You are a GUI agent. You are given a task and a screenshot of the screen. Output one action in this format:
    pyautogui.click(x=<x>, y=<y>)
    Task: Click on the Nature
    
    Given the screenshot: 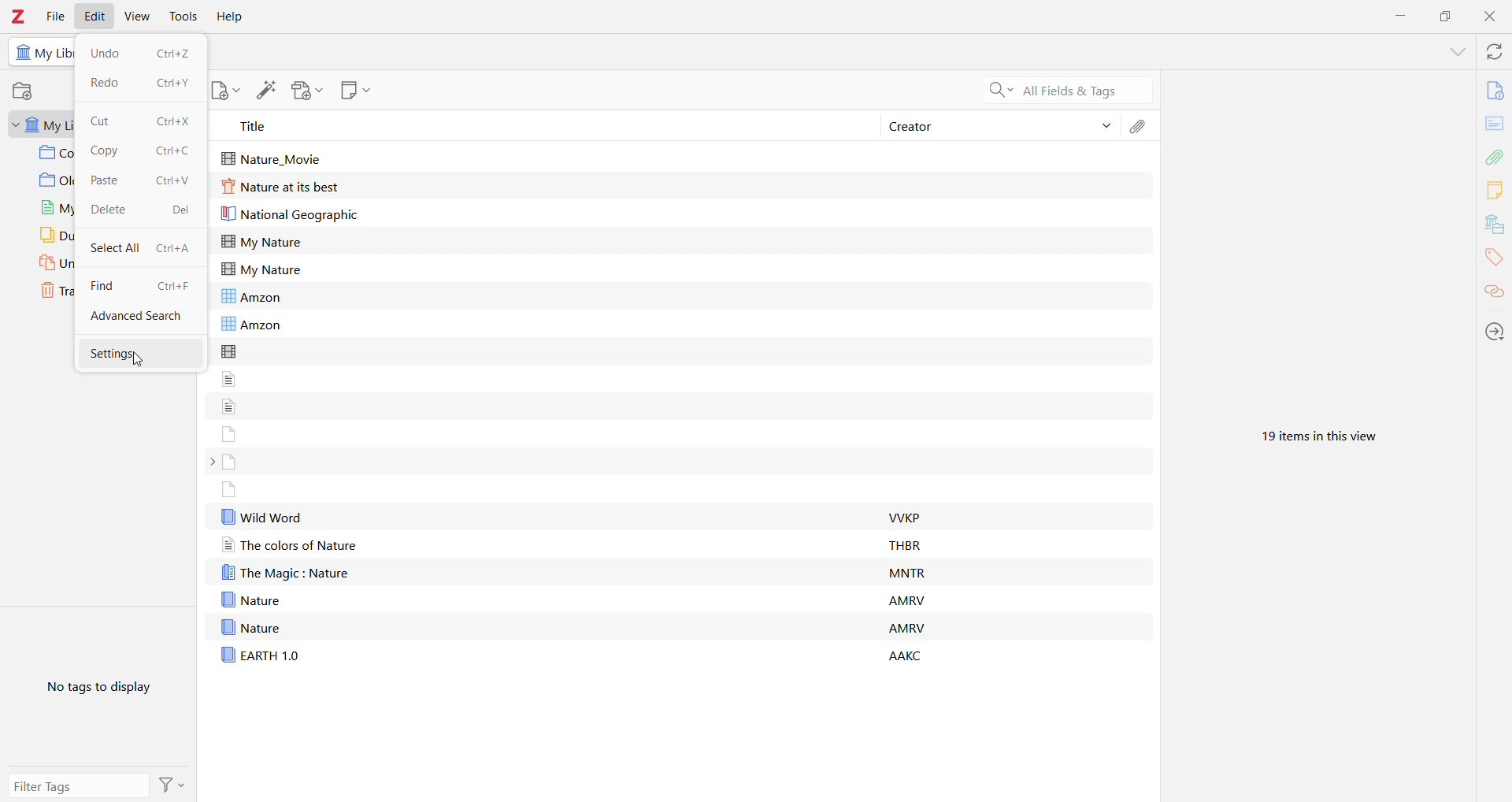 What is the action you would take?
    pyautogui.click(x=250, y=626)
    